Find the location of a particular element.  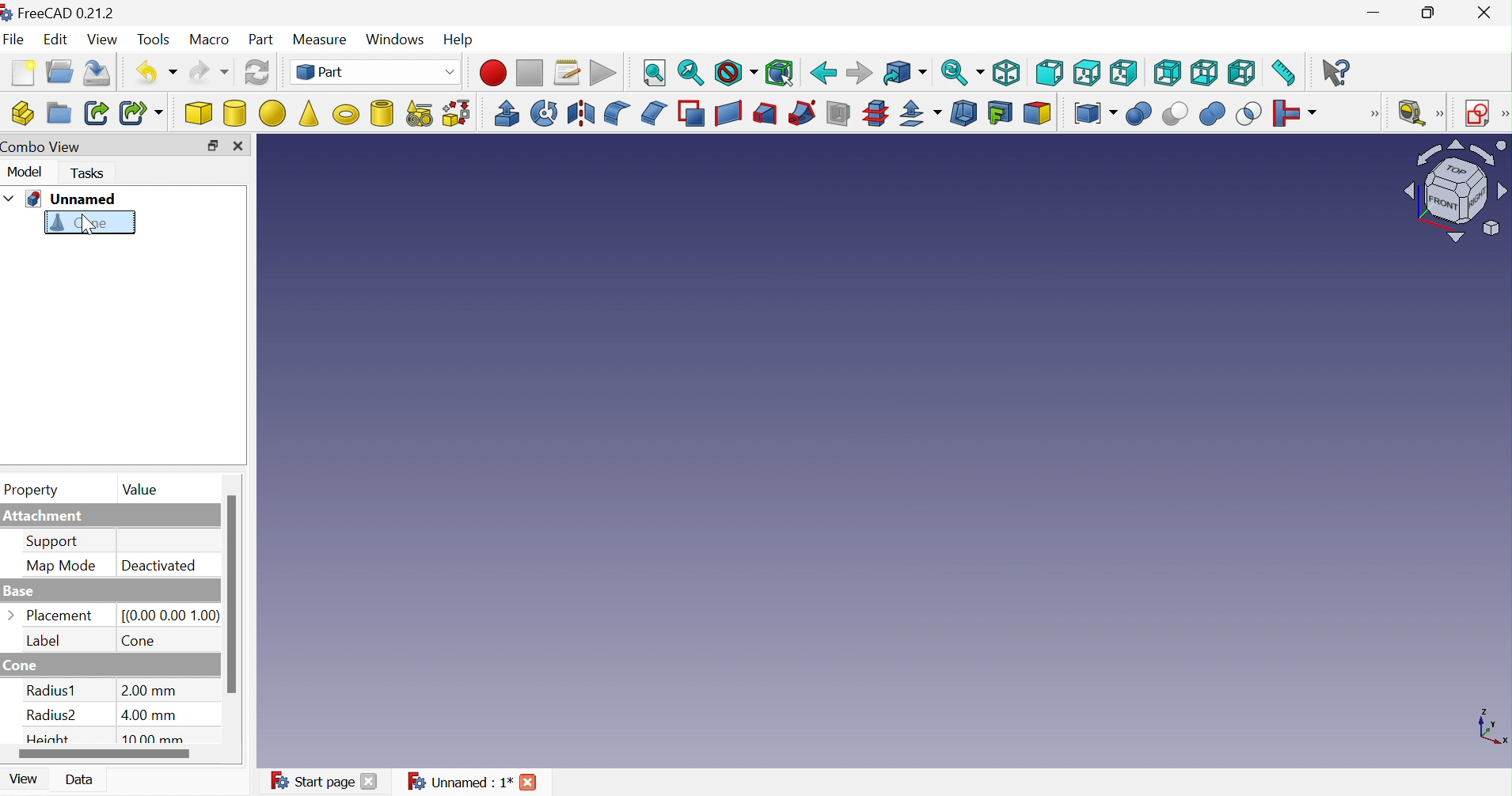

Data is located at coordinates (82, 779).